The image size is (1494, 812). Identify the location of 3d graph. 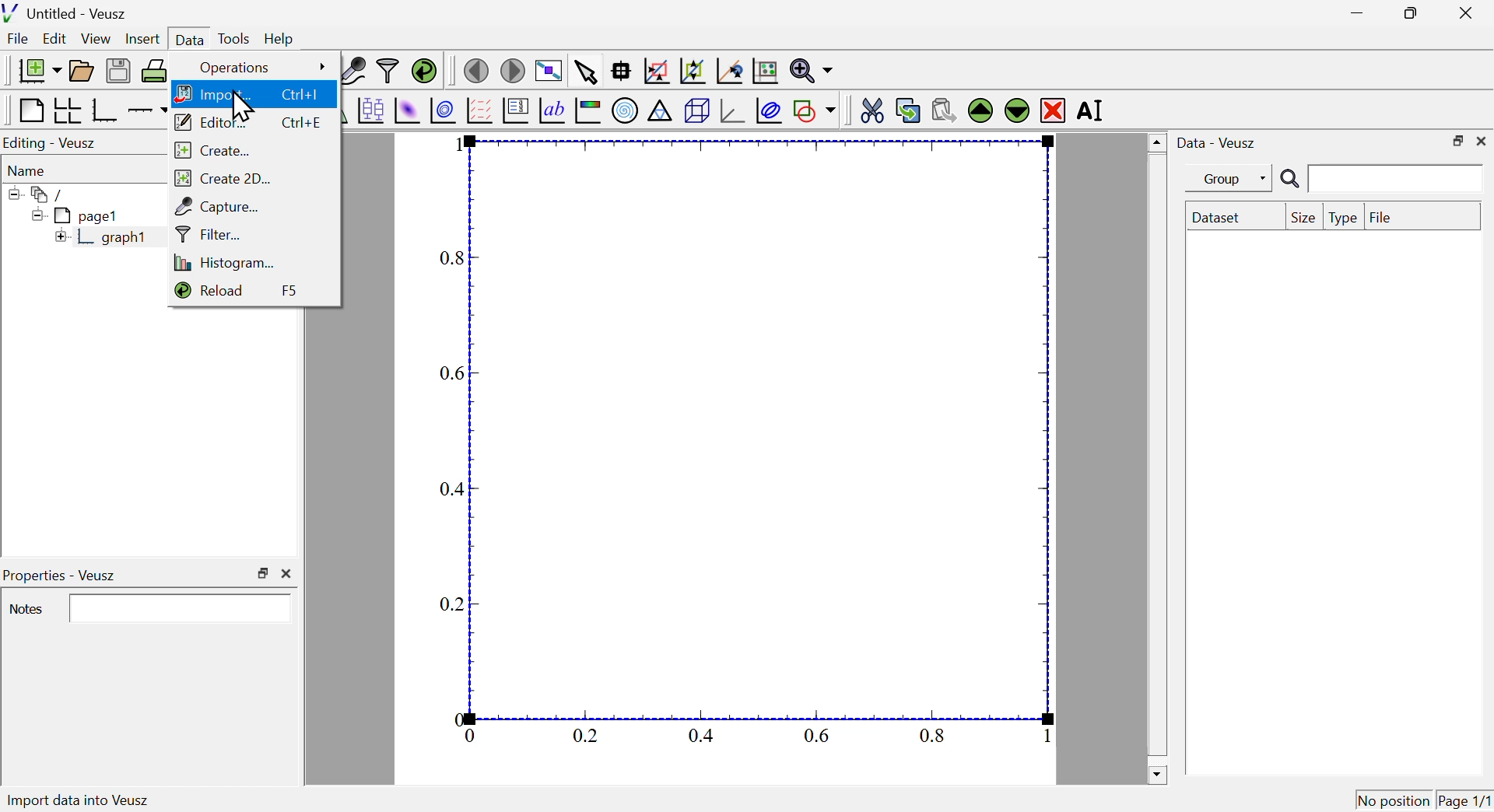
(732, 111).